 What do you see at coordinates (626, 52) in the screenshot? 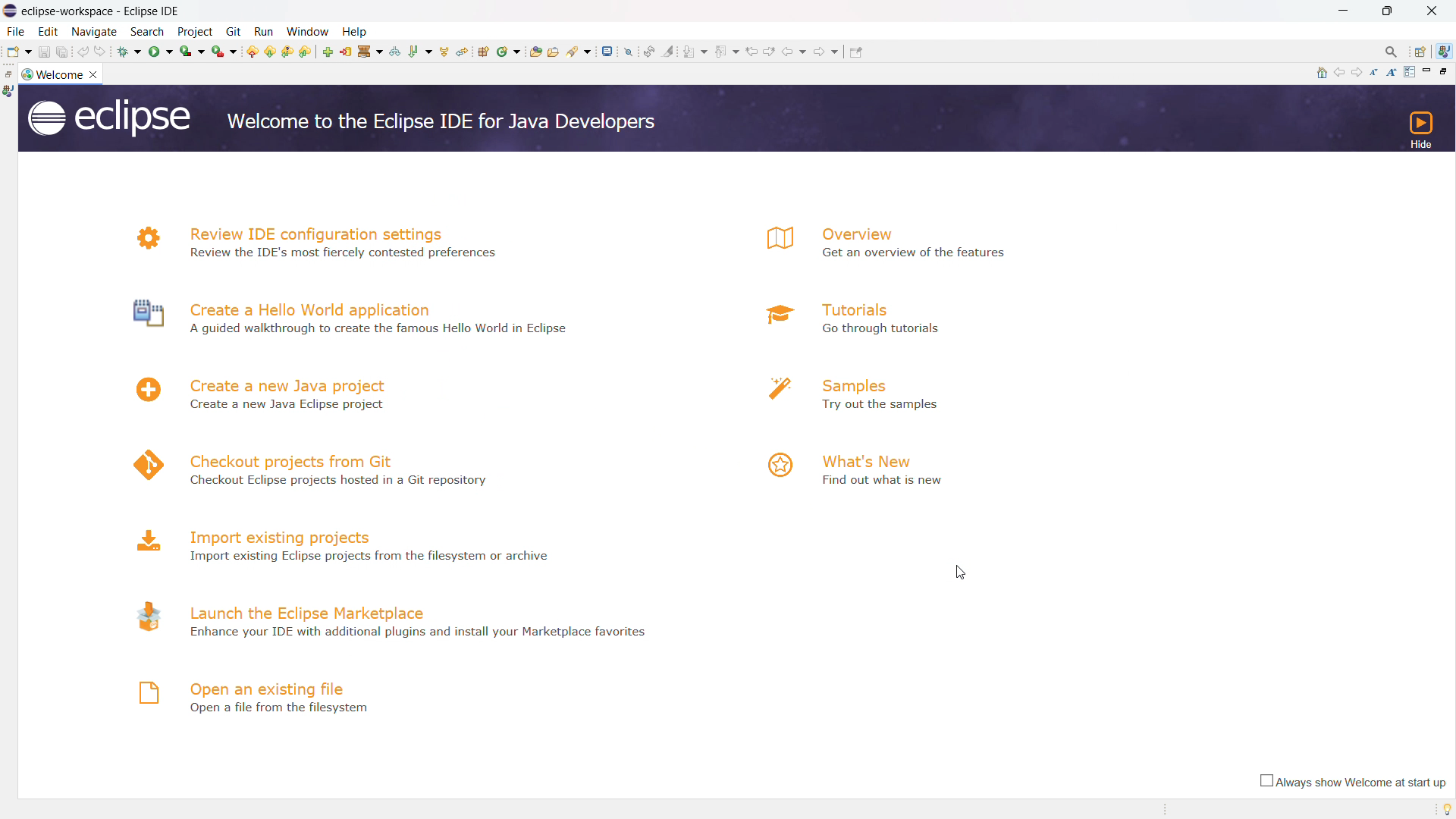
I see `pin editor` at bounding box center [626, 52].